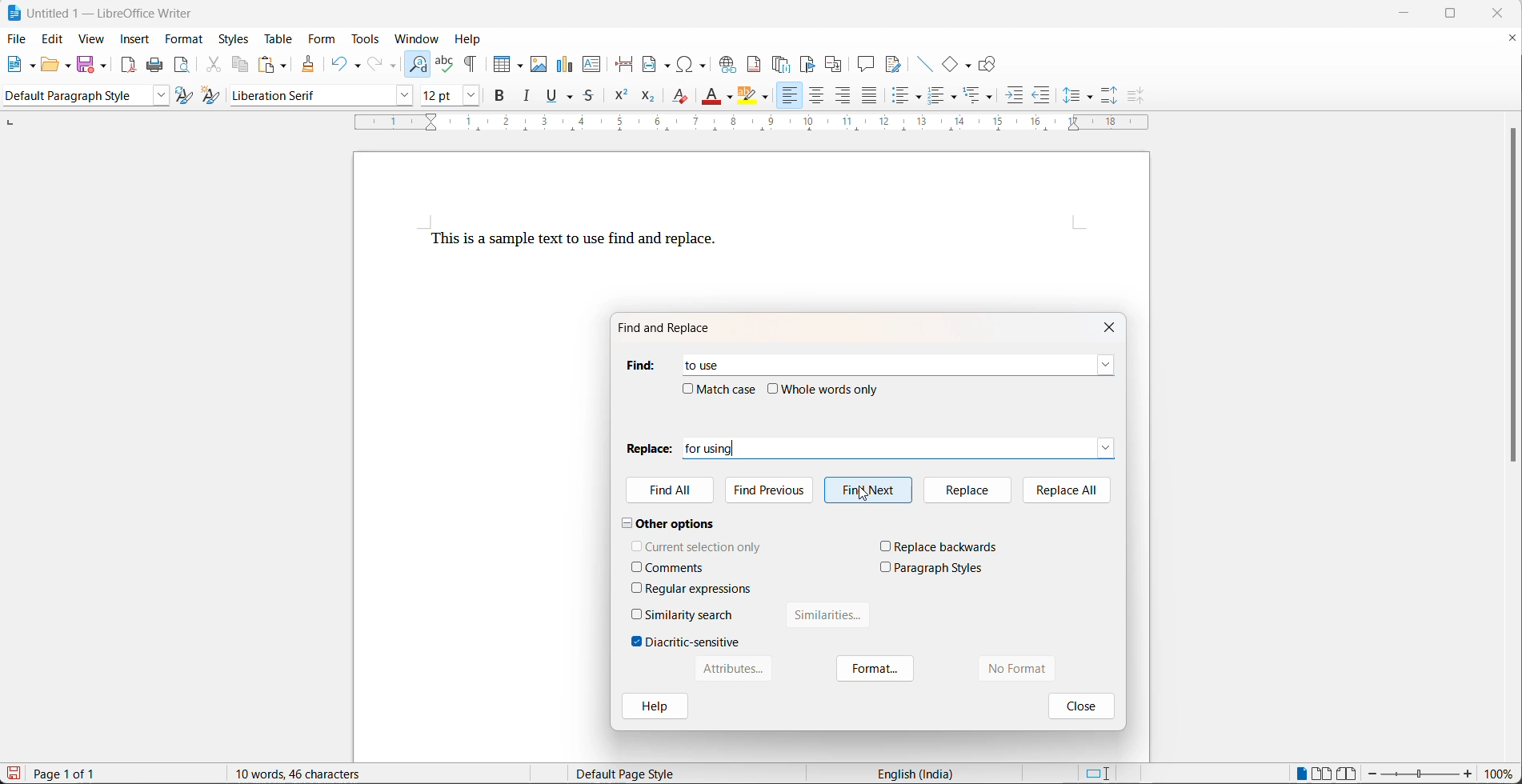 The height and width of the screenshot is (784, 1522). I want to click on font color, so click(730, 98).